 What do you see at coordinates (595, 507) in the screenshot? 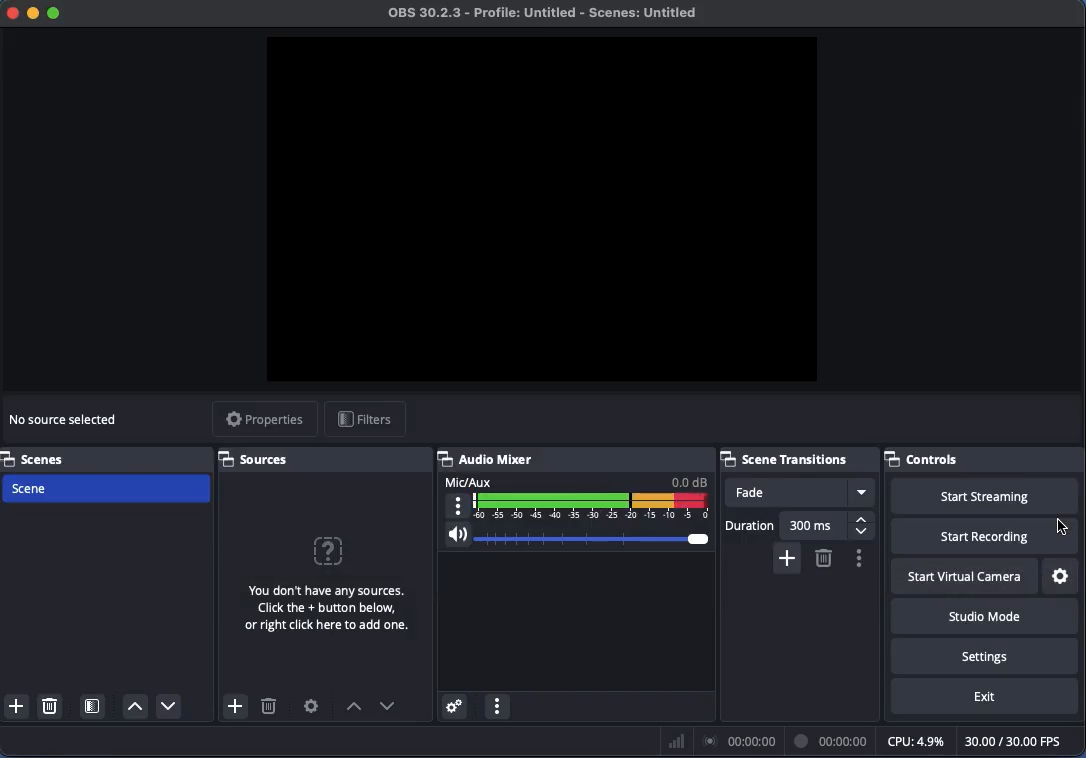
I see `Mic/Aux` at bounding box center [595, 507].